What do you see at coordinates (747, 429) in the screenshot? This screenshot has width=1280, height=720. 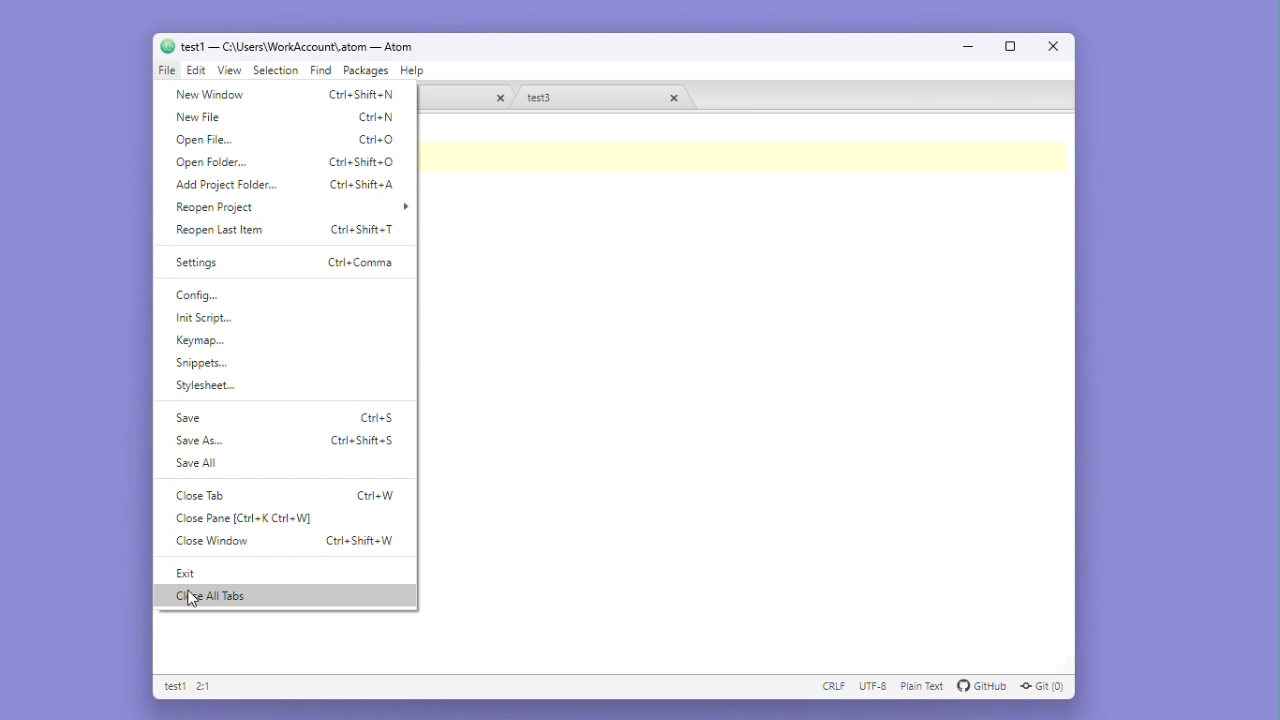 I see `Editor space` at bounding box center [747, 429].